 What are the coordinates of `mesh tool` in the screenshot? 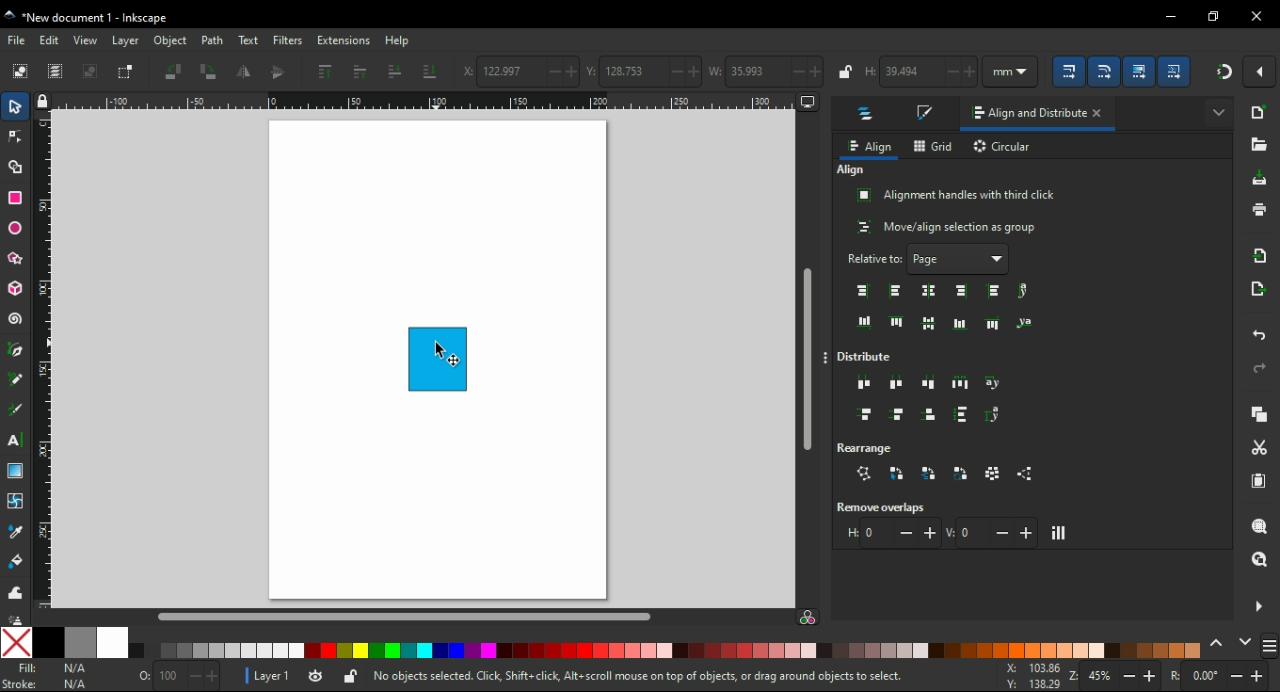 It's located at (17, 499).